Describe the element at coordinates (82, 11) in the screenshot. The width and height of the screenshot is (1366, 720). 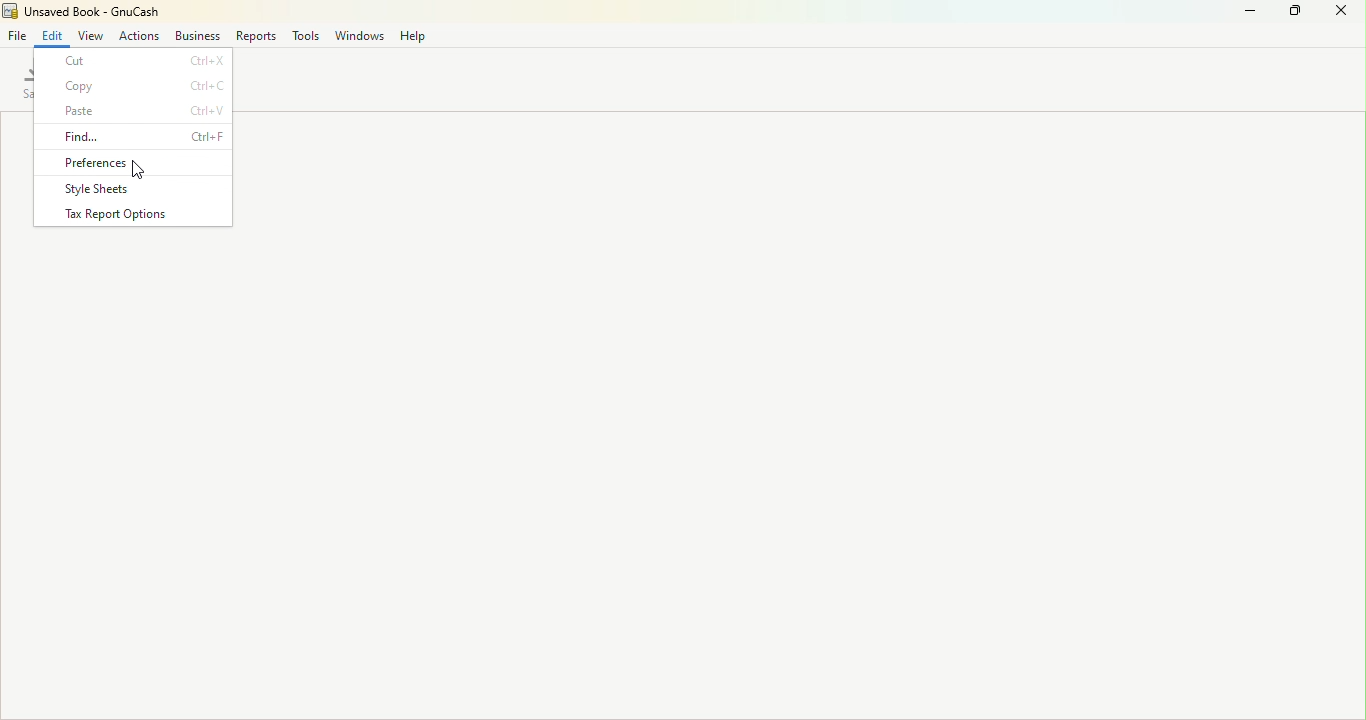
I see `Unsaved Book - GnuCash` at that location.